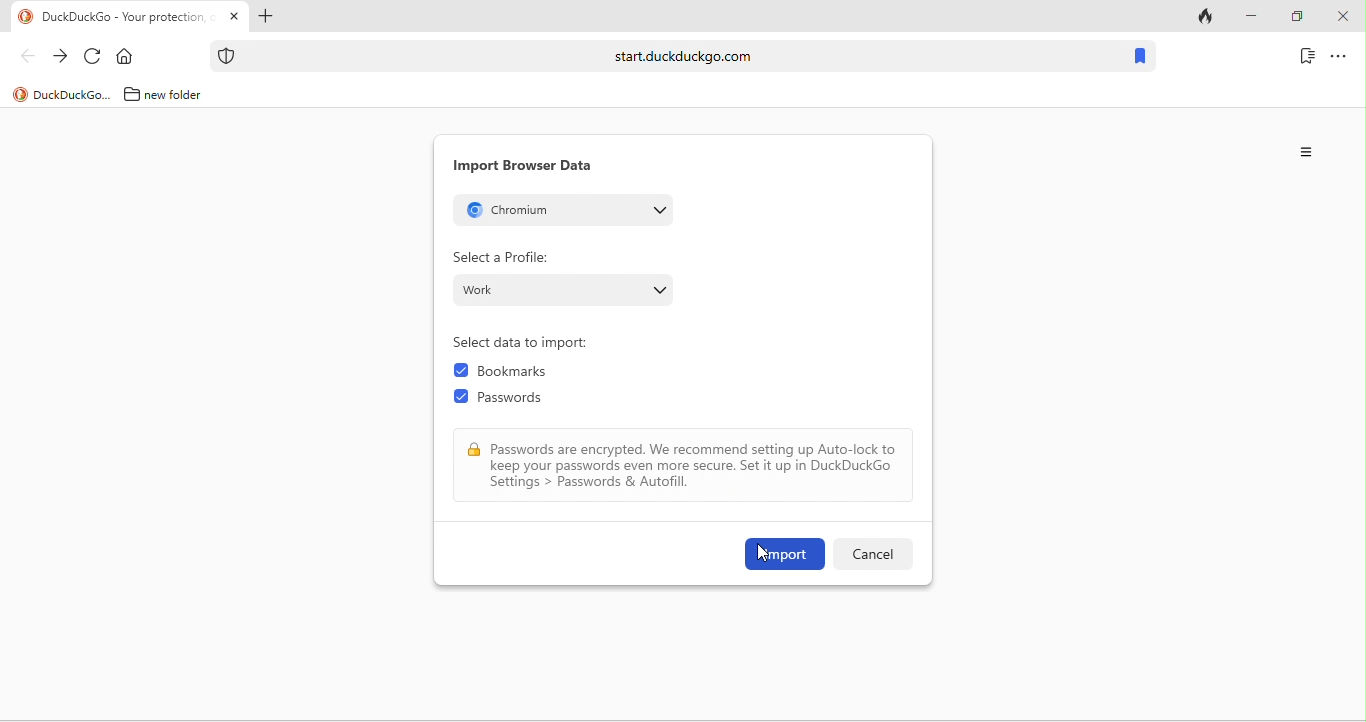  I want to click on minimize, so click(1250, 17).